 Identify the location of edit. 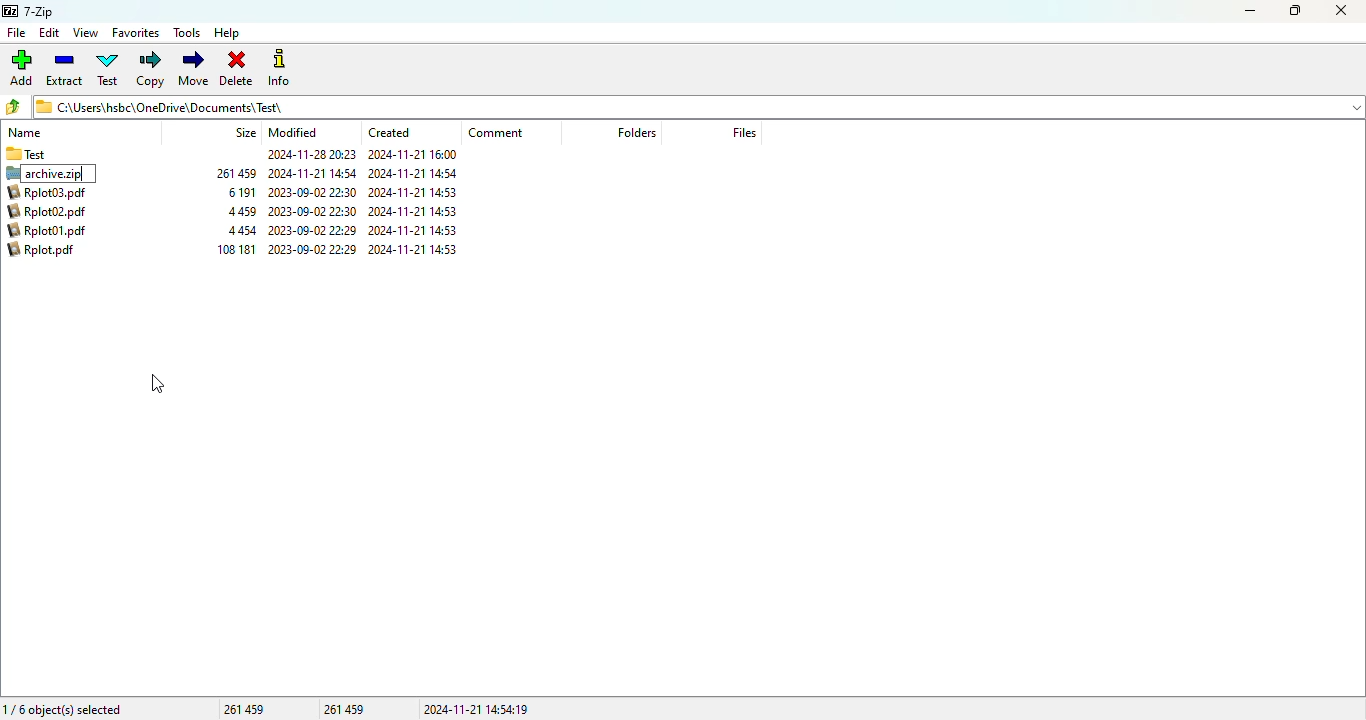
(50, 33).